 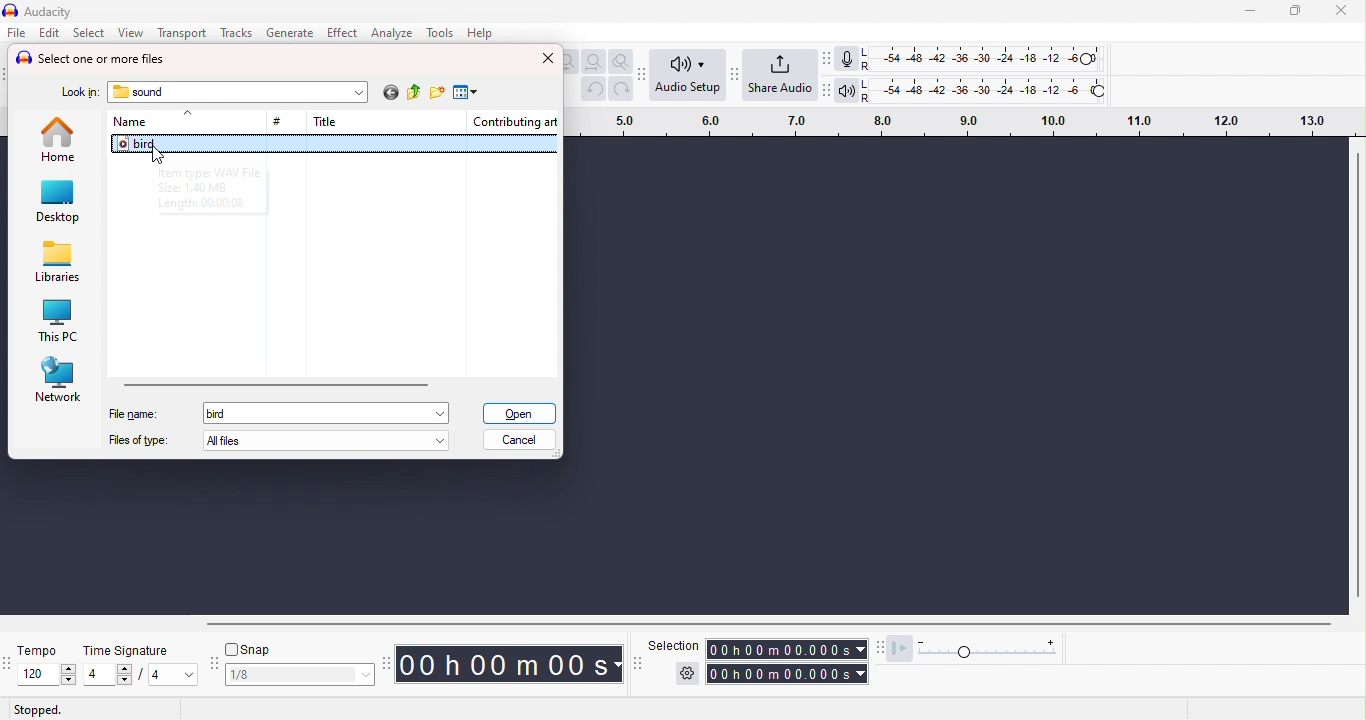 What do you see at coordinates (985, 89) in the screenshot?
I see `playback level` at bounding box center [985, 89].